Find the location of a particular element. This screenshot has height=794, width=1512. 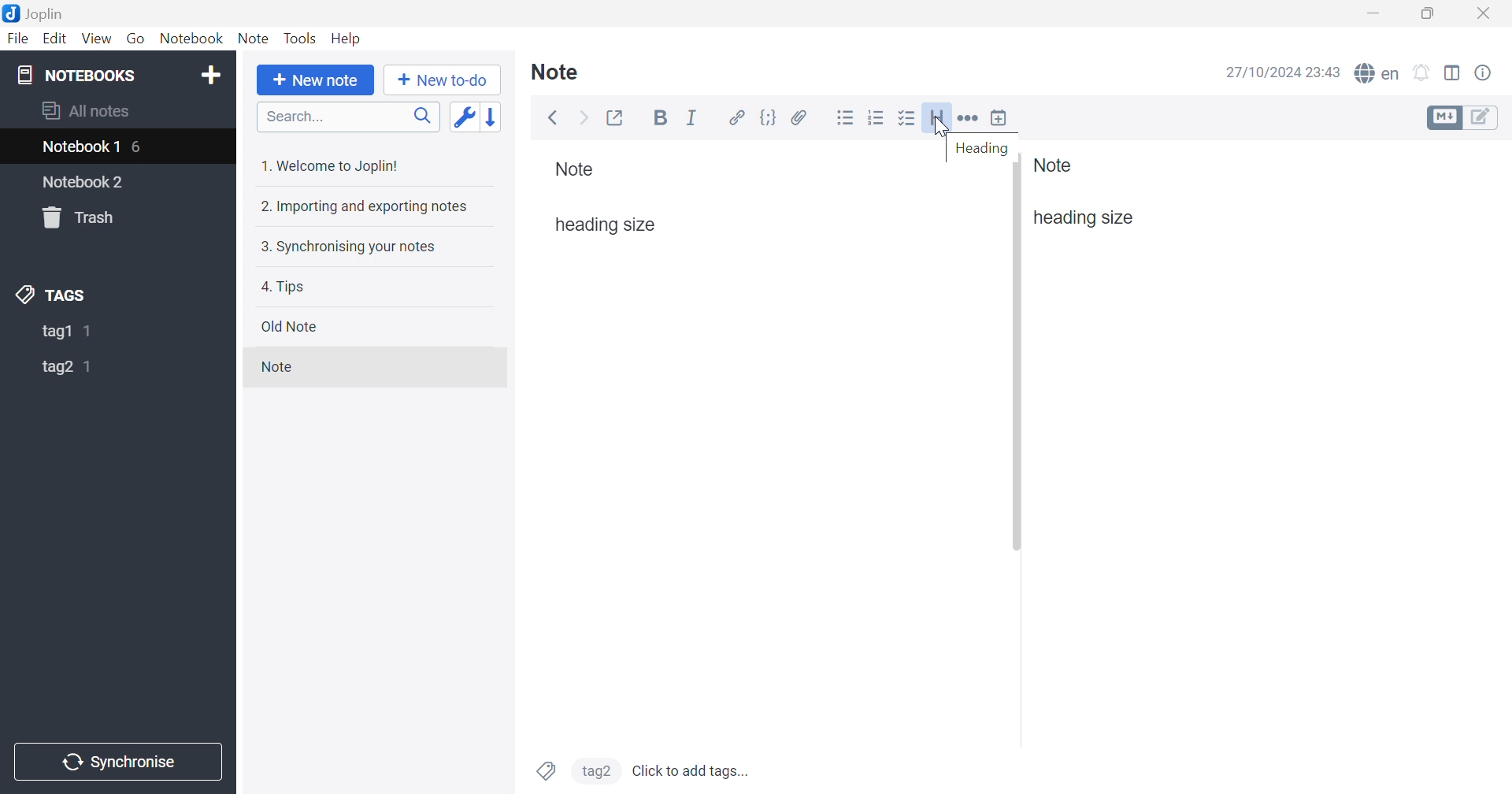

Toggle sort order field: custom -> updated date is located at coordinates (462, 116).